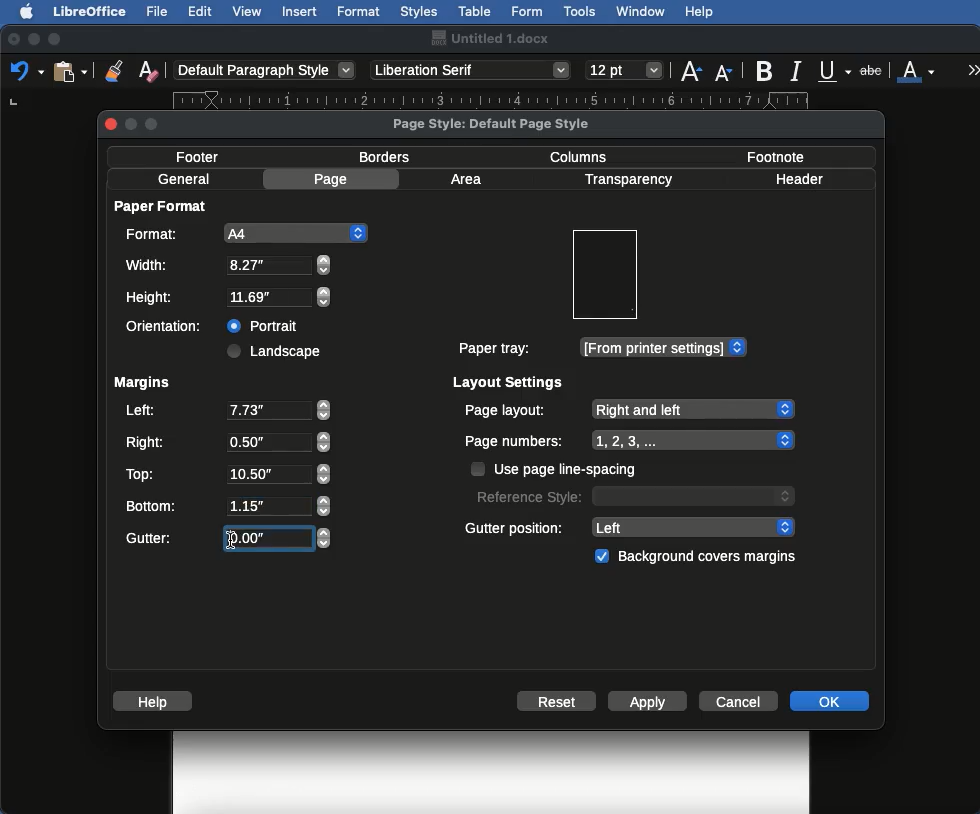 The width and height of the screenshot is (980, 814). Describe the element at coordinates (243, 233) in the screenshot. I see `A4` at that location.